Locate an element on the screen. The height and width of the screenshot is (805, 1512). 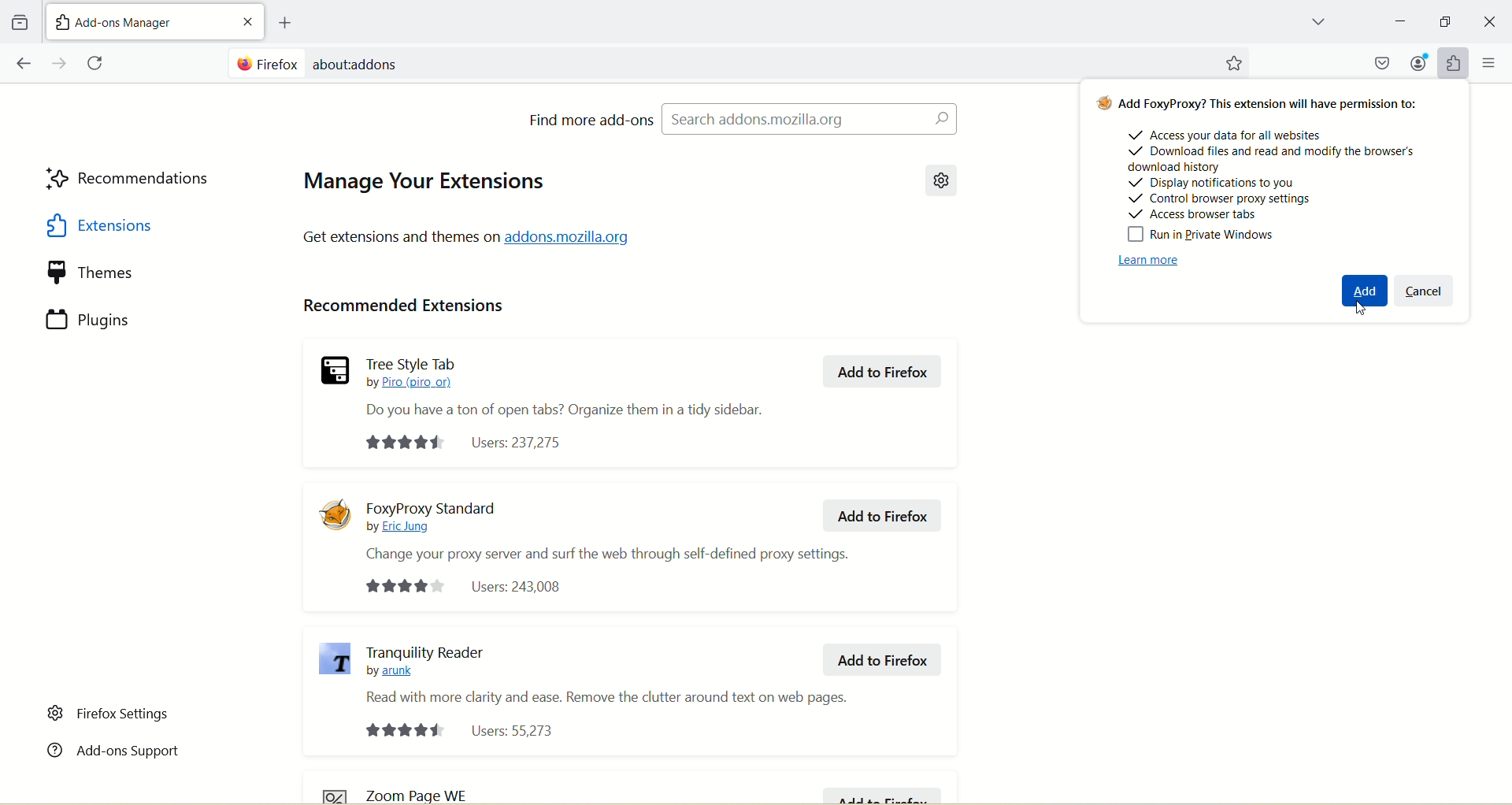
Manage Your Extensions is located at coordinates (472, 212).